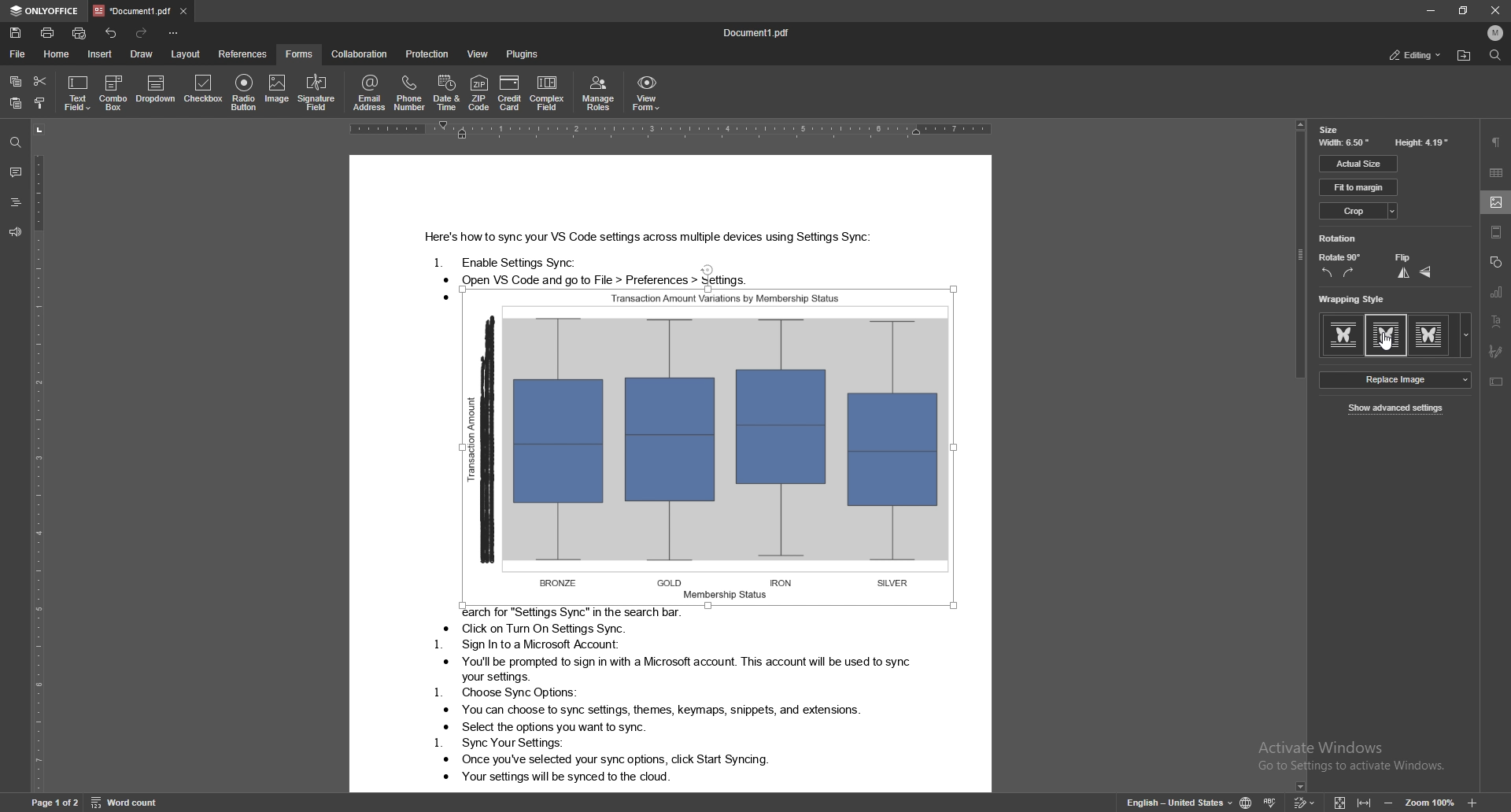  What do you see at coordinates (1353, 274) in the screenshot?
I see `rotate` at bounding box center [1353, 274].